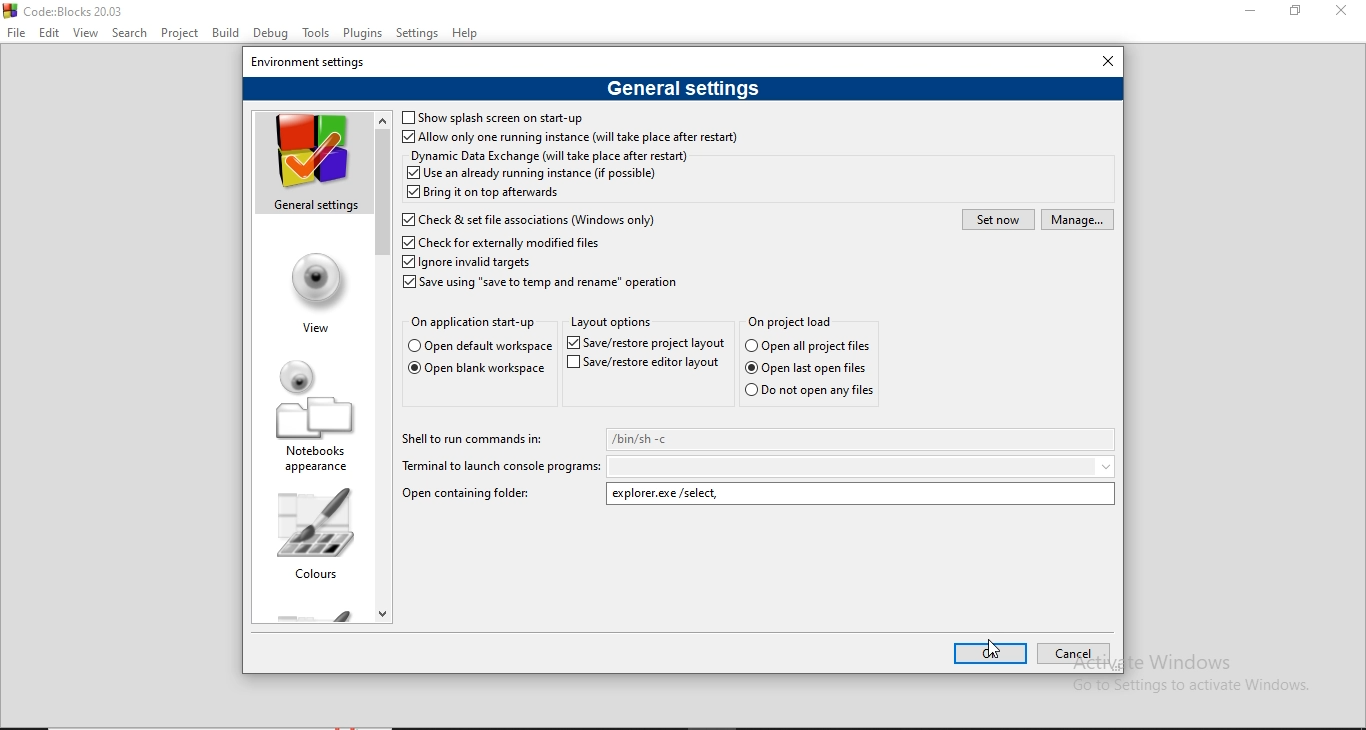 Image resolution: width=1366 pixels, height=730 pixels. Describe the element at coordinates (476, 495) in the screenshot. I see `Open containing folder` at that location.